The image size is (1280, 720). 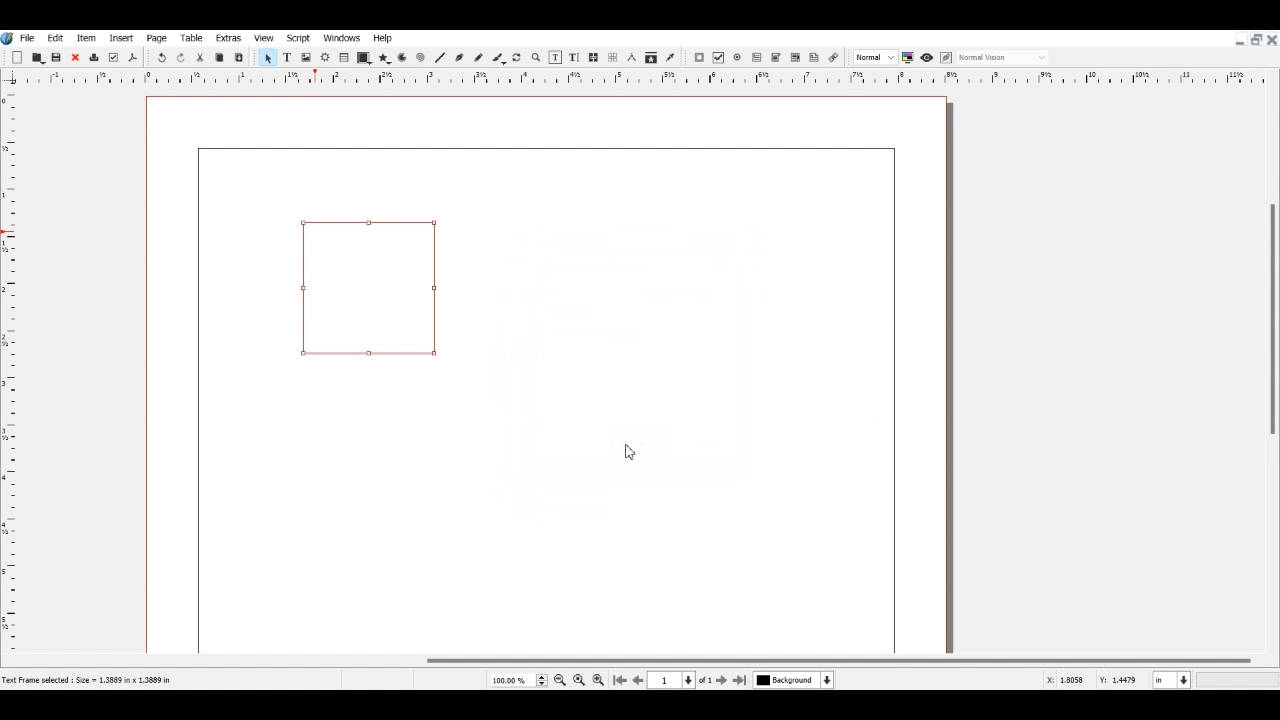 I want to click on Select Item, so click(x=267, y=57).